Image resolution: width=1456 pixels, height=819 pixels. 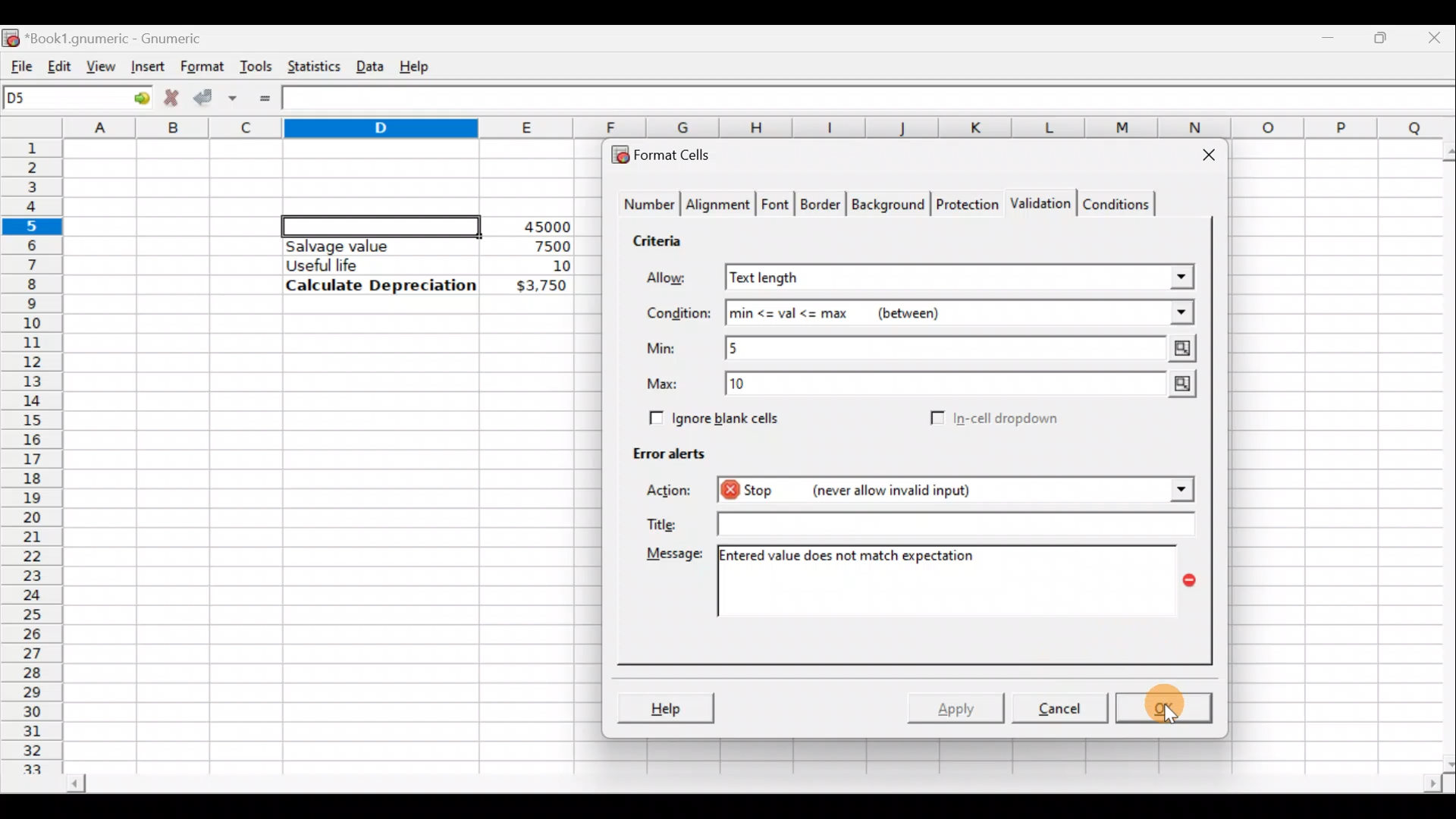 What do you see at coordinates (381, 224) in the screenshot?
I see `Selected cell` at bounding box center [381, 224].